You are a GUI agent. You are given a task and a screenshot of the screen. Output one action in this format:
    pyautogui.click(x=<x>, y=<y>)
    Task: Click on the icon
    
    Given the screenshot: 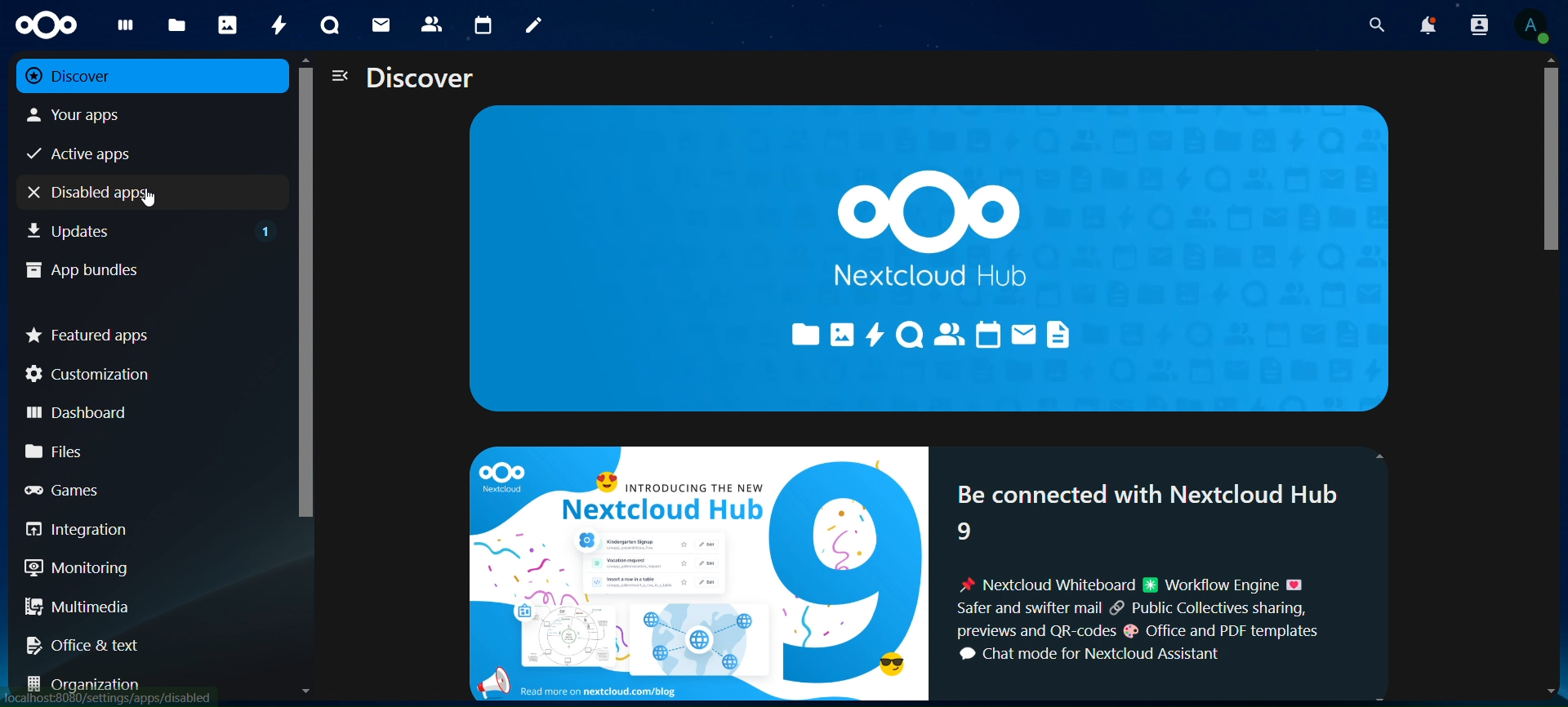 What is the action you would take?
    pyautogui.click(x=43, y=23)
    